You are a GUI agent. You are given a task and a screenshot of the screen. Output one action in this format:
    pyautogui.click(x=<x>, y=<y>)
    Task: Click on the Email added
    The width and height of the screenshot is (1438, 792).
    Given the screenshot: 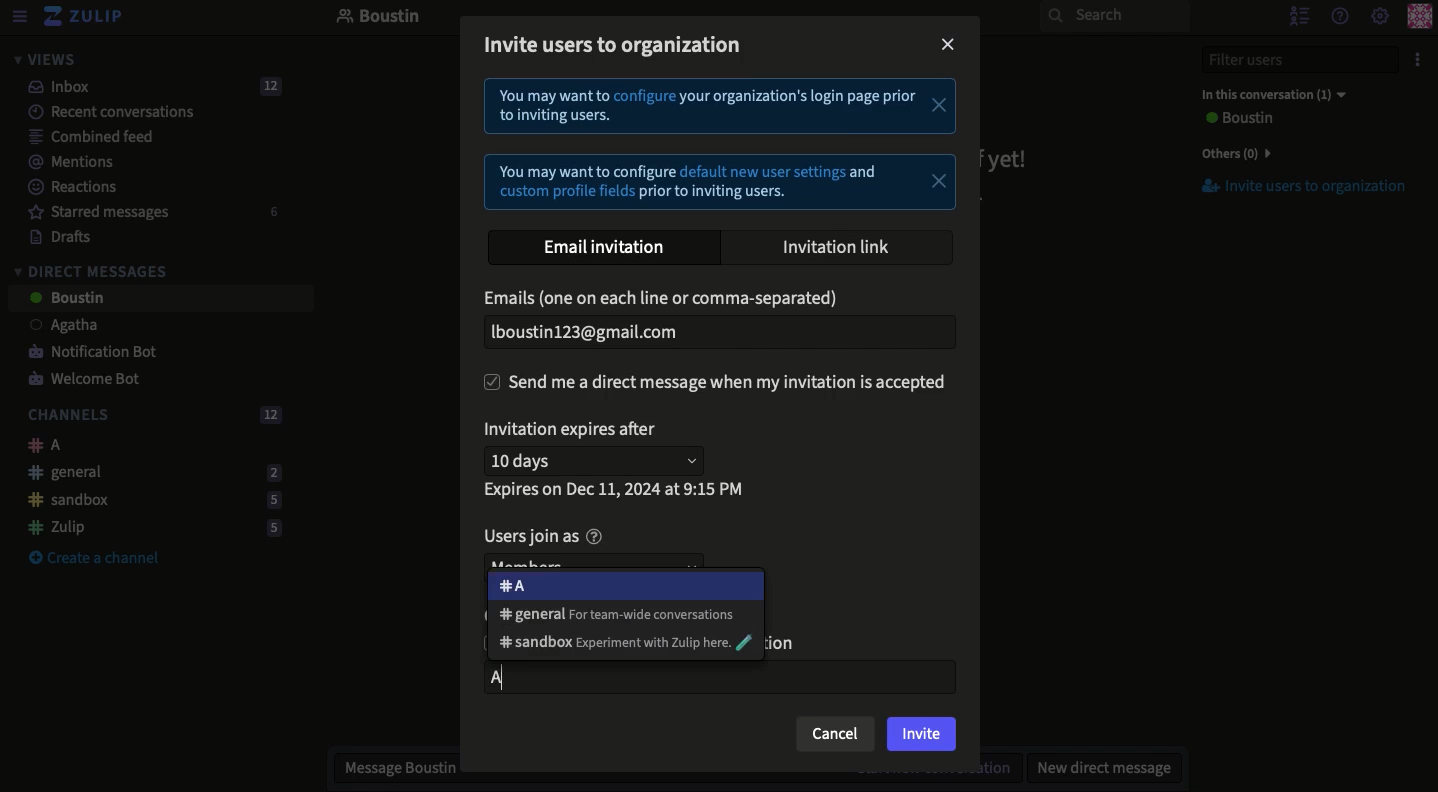 What is the action you would take?
    pyautogui.click(x=714, y=332)
    